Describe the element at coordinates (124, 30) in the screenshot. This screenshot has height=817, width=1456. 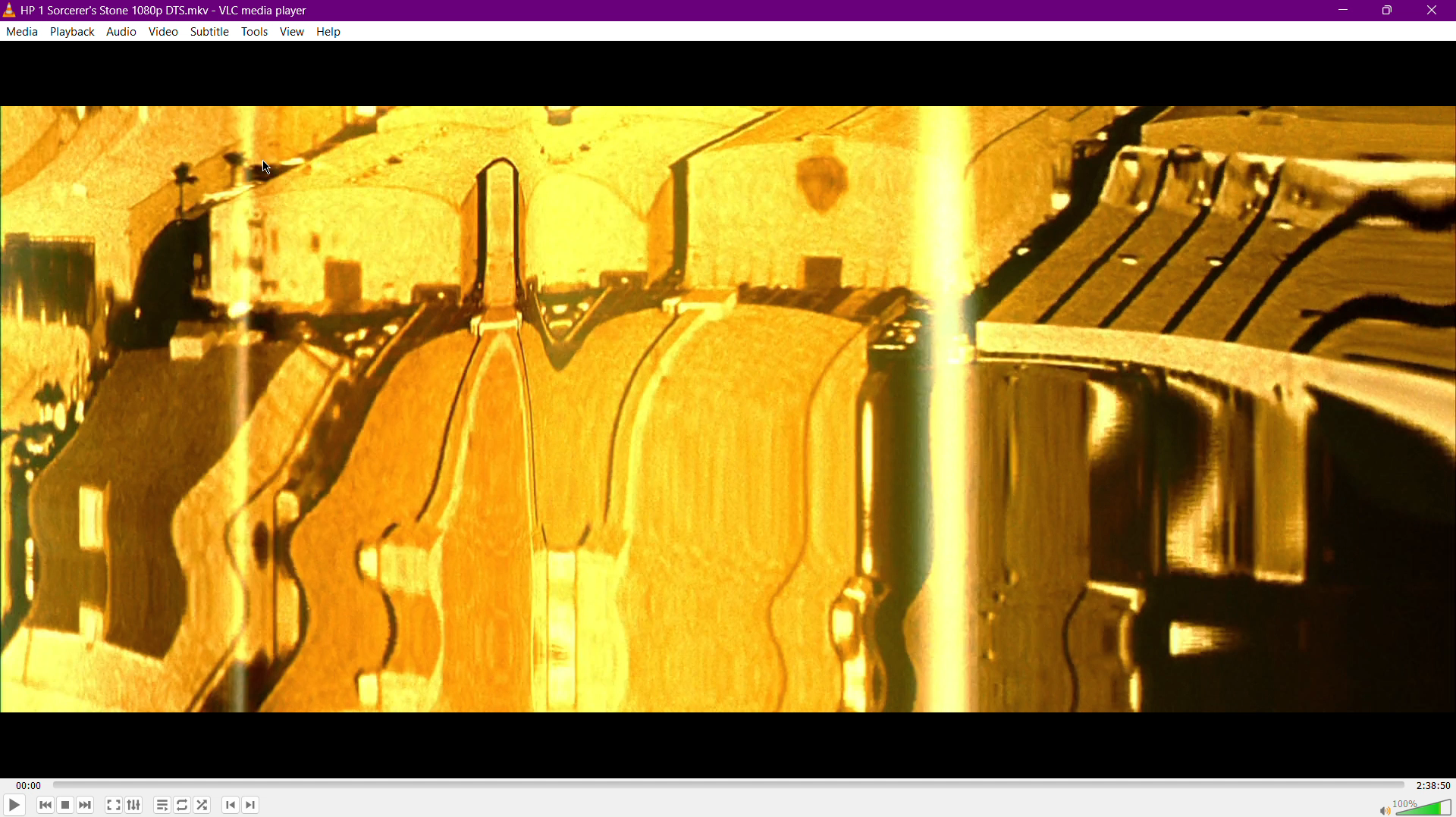
I see `Audio` at that location.